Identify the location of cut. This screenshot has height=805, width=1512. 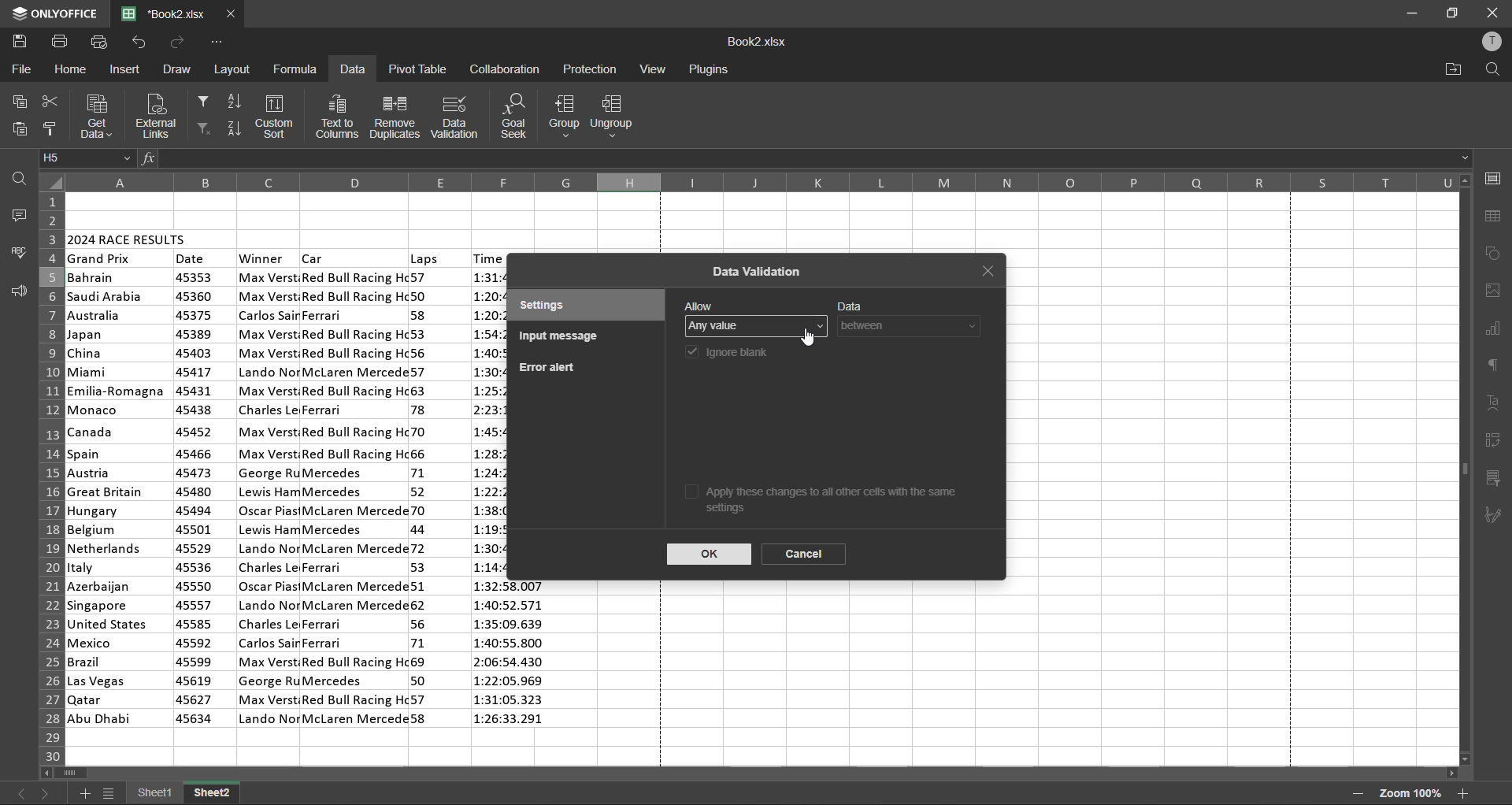
(47, 104).